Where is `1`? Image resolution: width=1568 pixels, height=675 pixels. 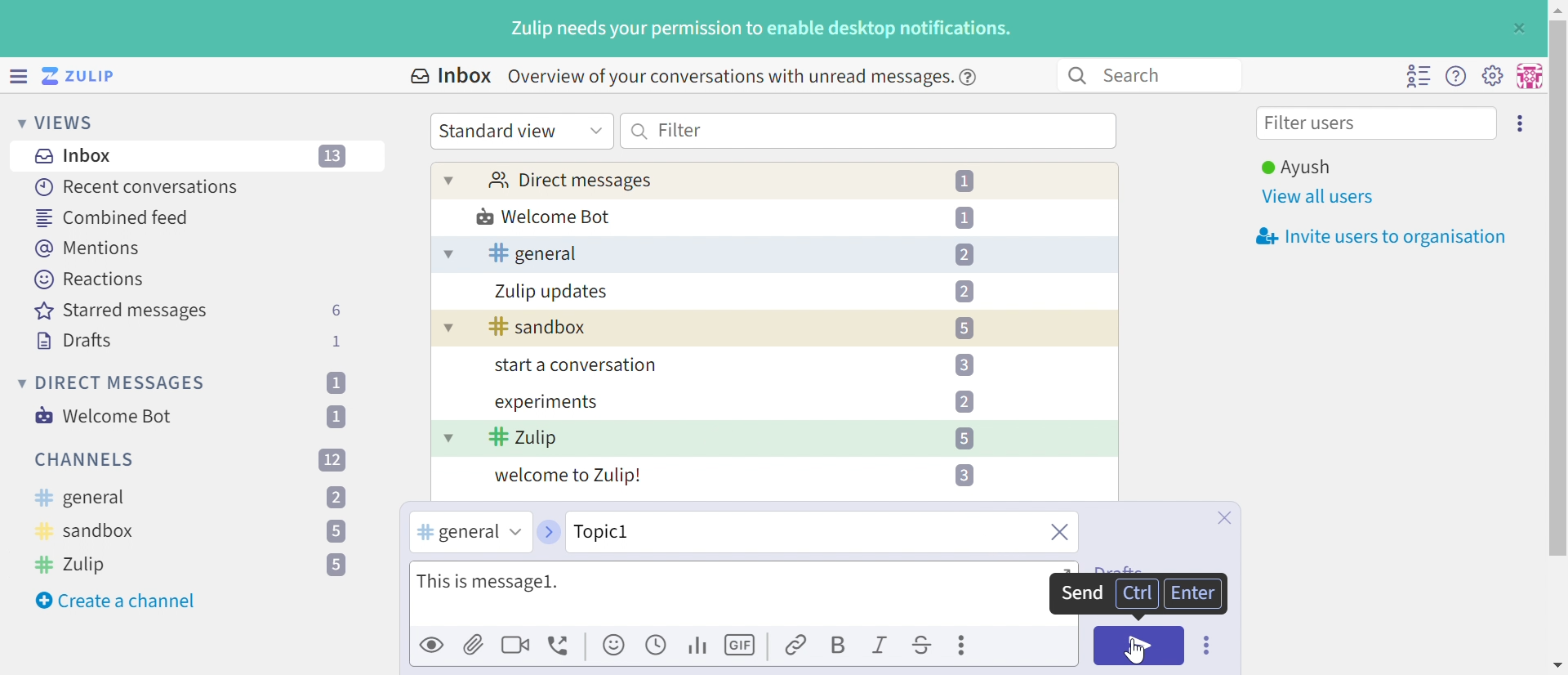 1 is located at coordinates (335, 382).